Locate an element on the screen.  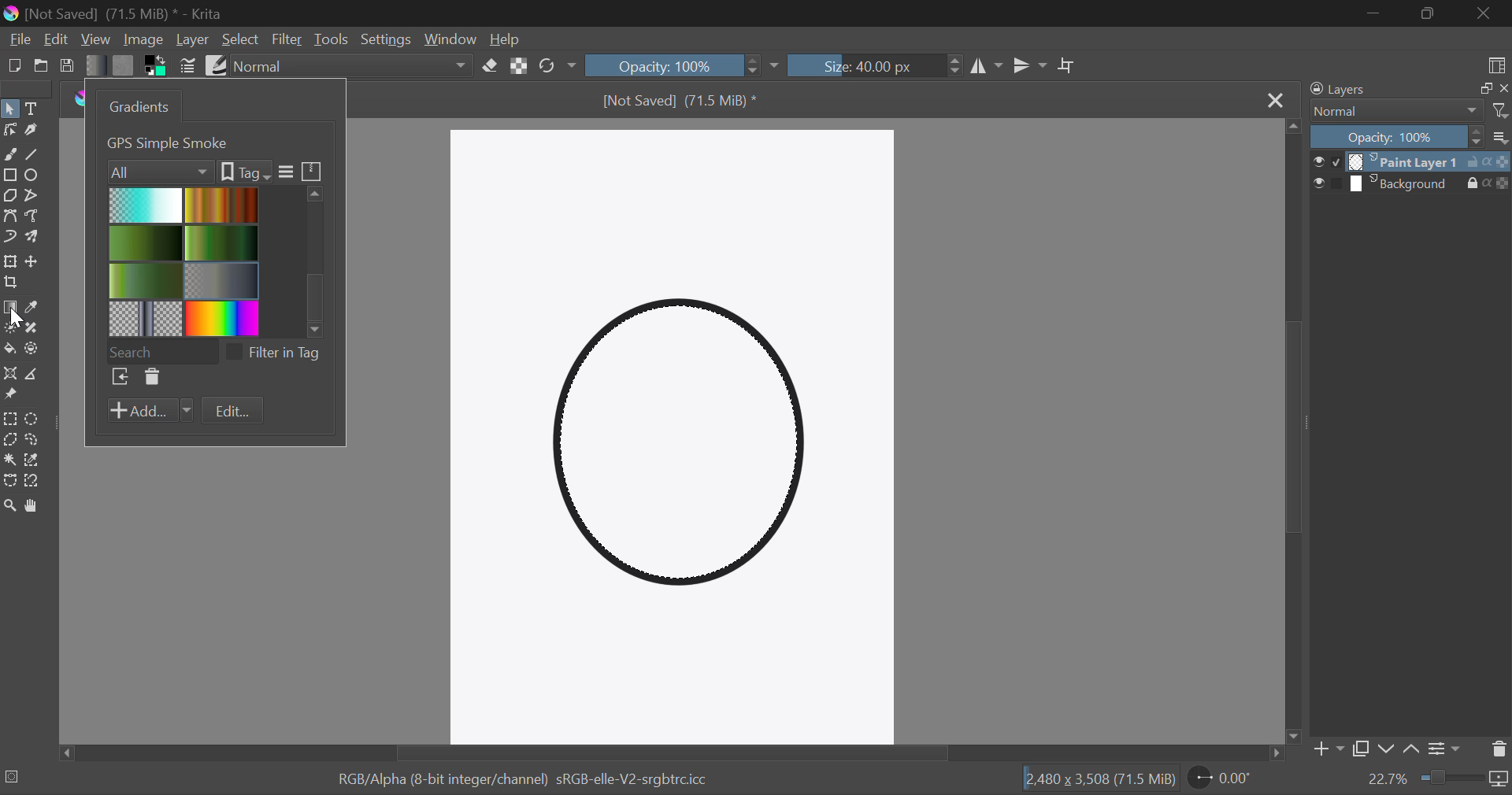
Colorize Mask Tool is located at coordinates (10, 331).